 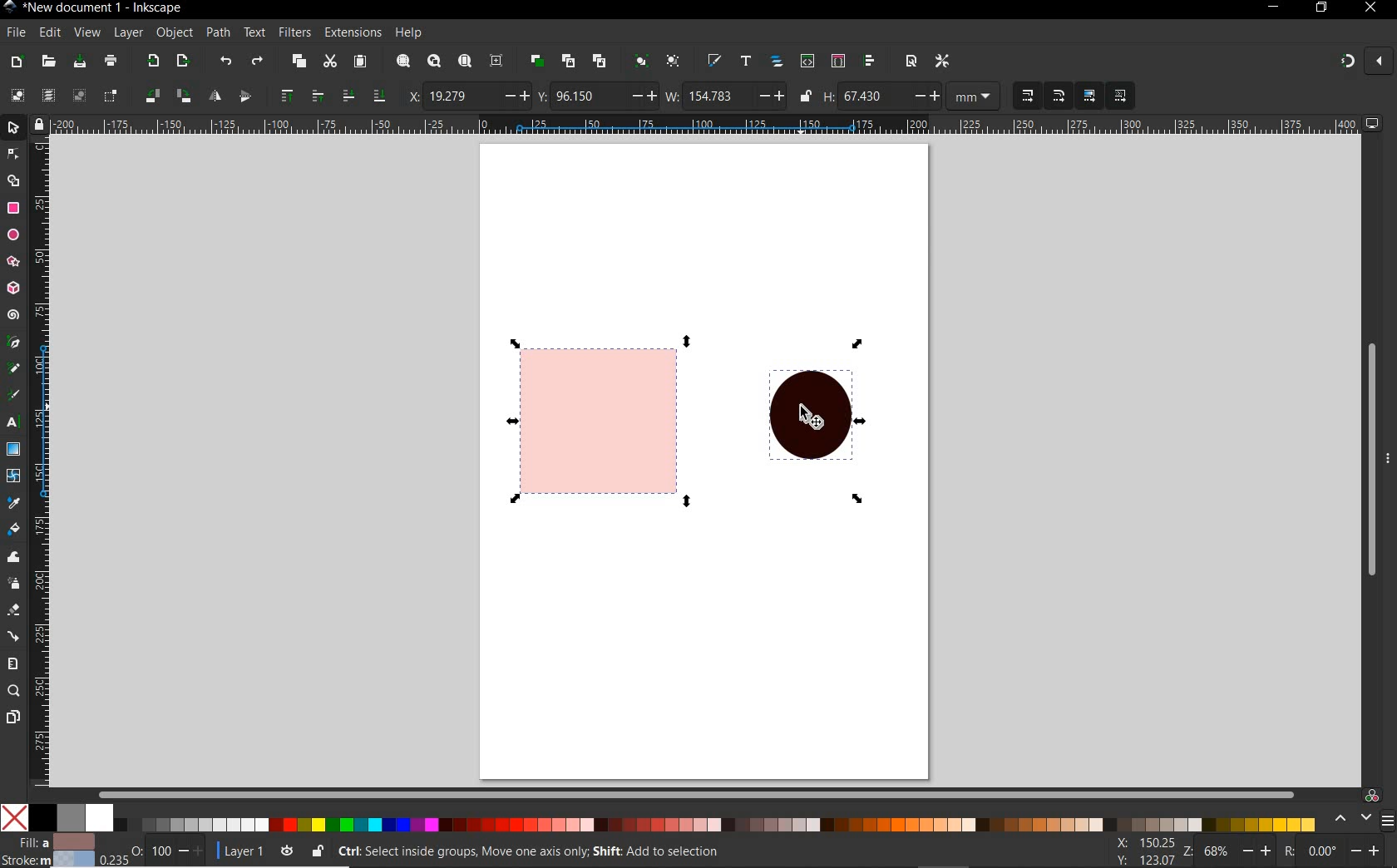 I want to click on restore, so click(x=1322, y=7).